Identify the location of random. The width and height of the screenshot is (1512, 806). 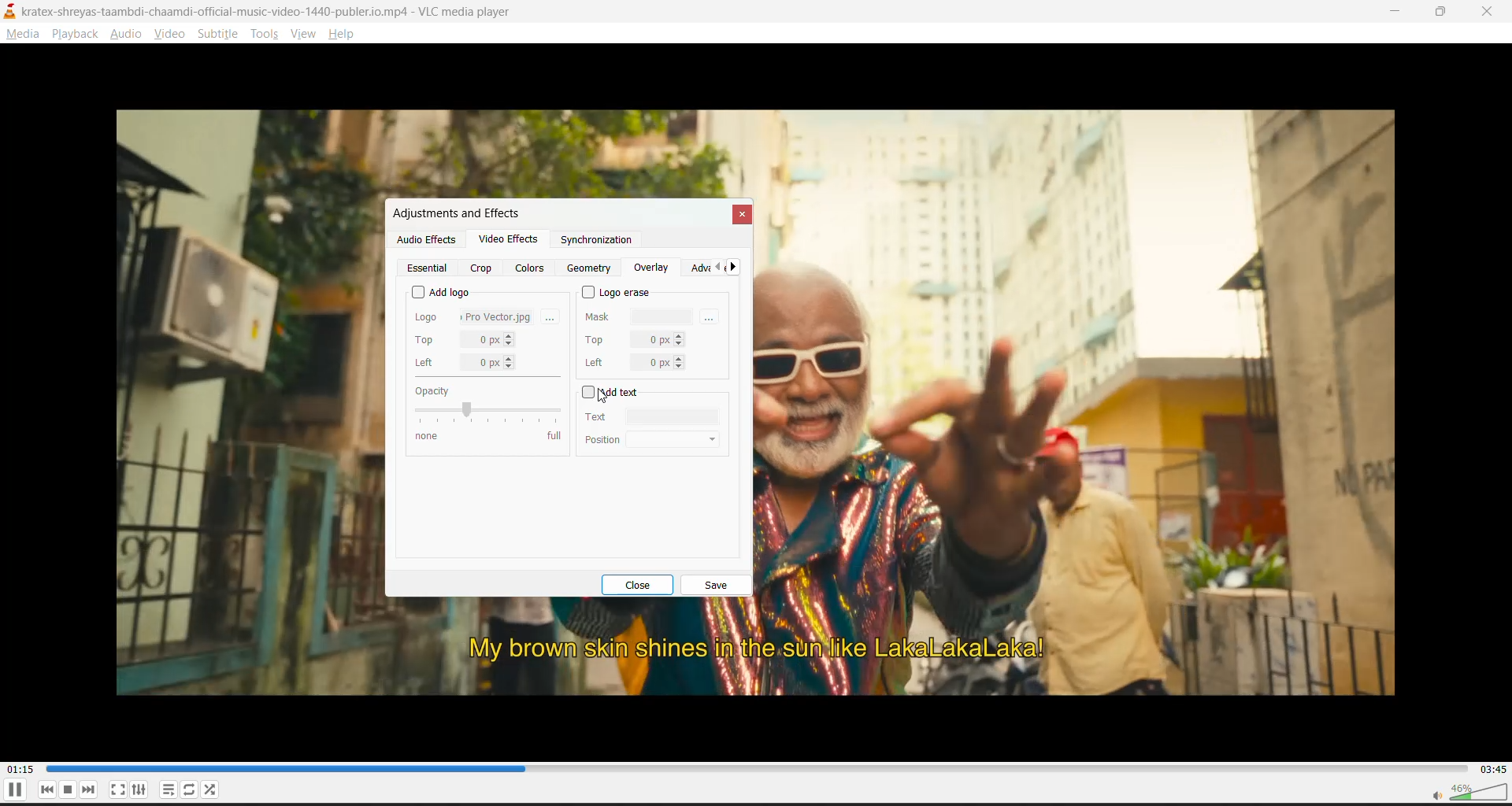
(213, 790).